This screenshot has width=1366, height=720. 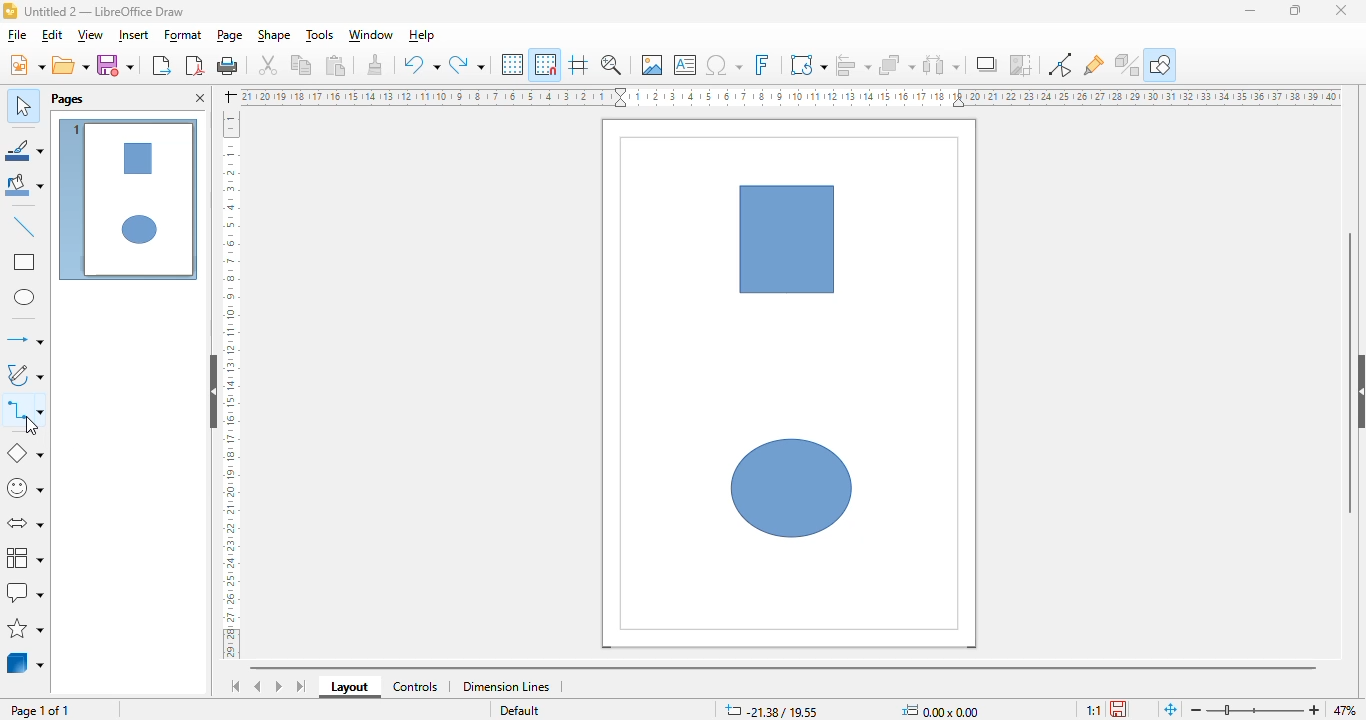 What do you see at coordinates (371, 35) in the screenshot?
I see `window` at bounding box center [371, 35].